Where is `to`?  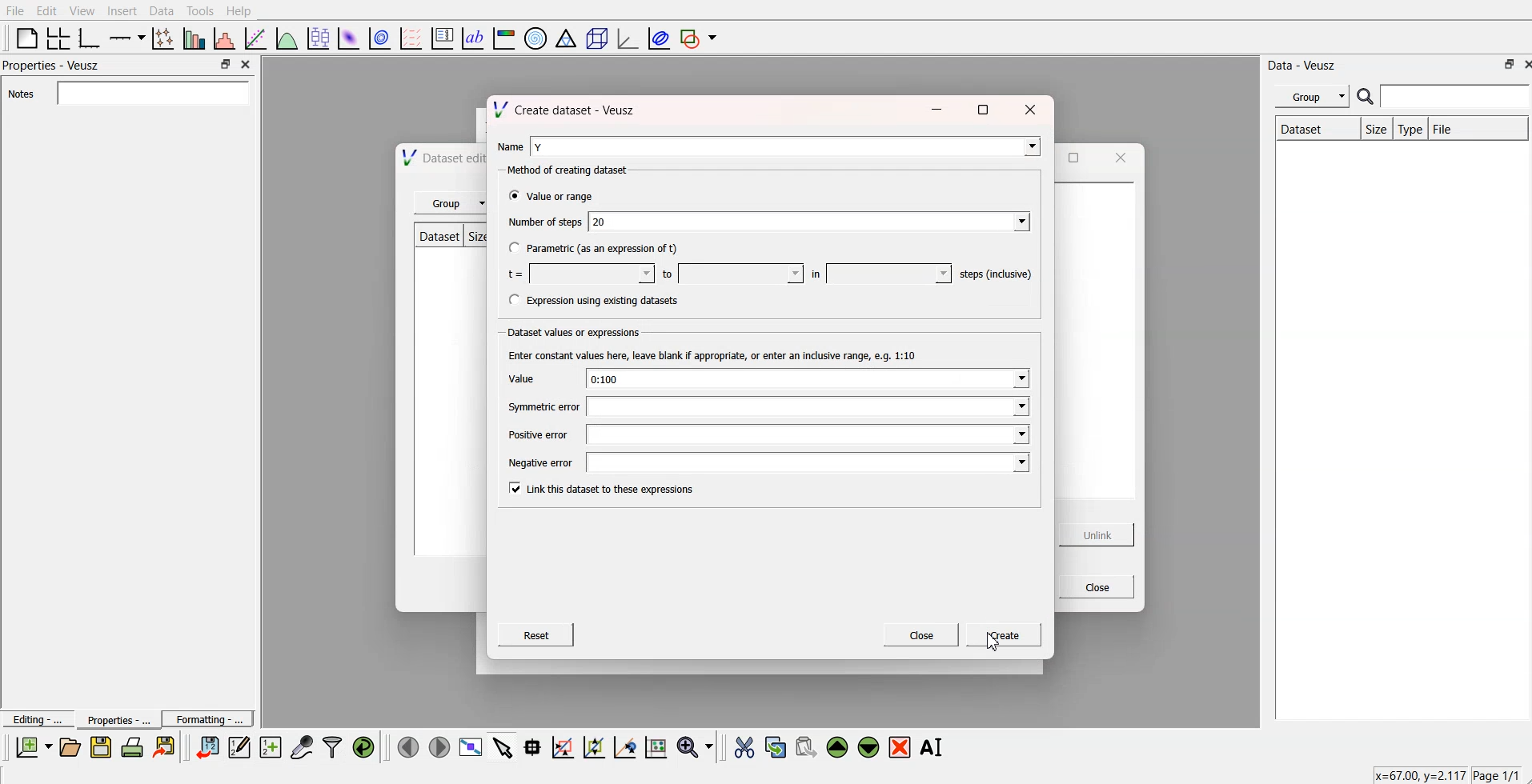
to is located at coordinates (728, 272).